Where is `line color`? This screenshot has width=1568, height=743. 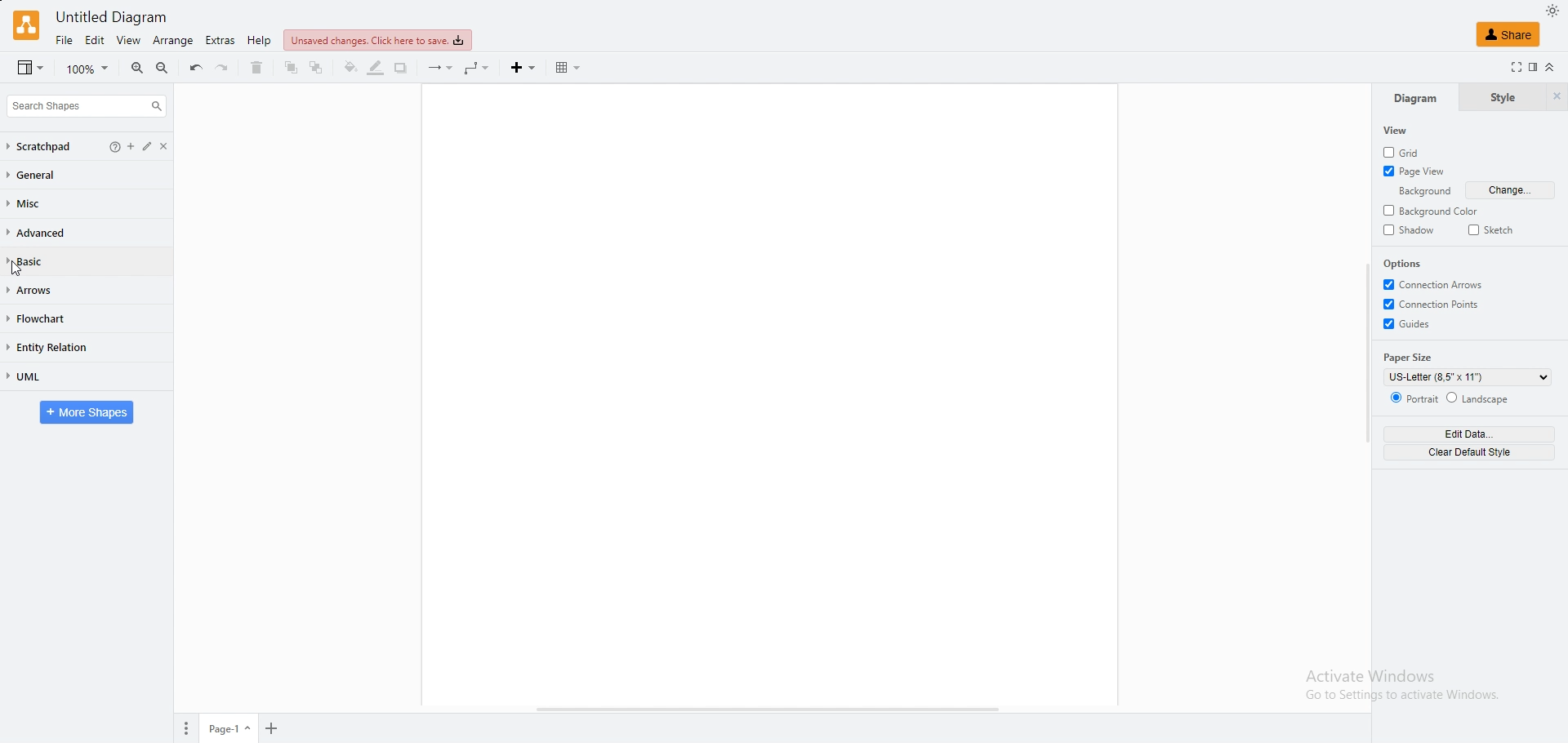
line color is located at coordinates (376, 69).